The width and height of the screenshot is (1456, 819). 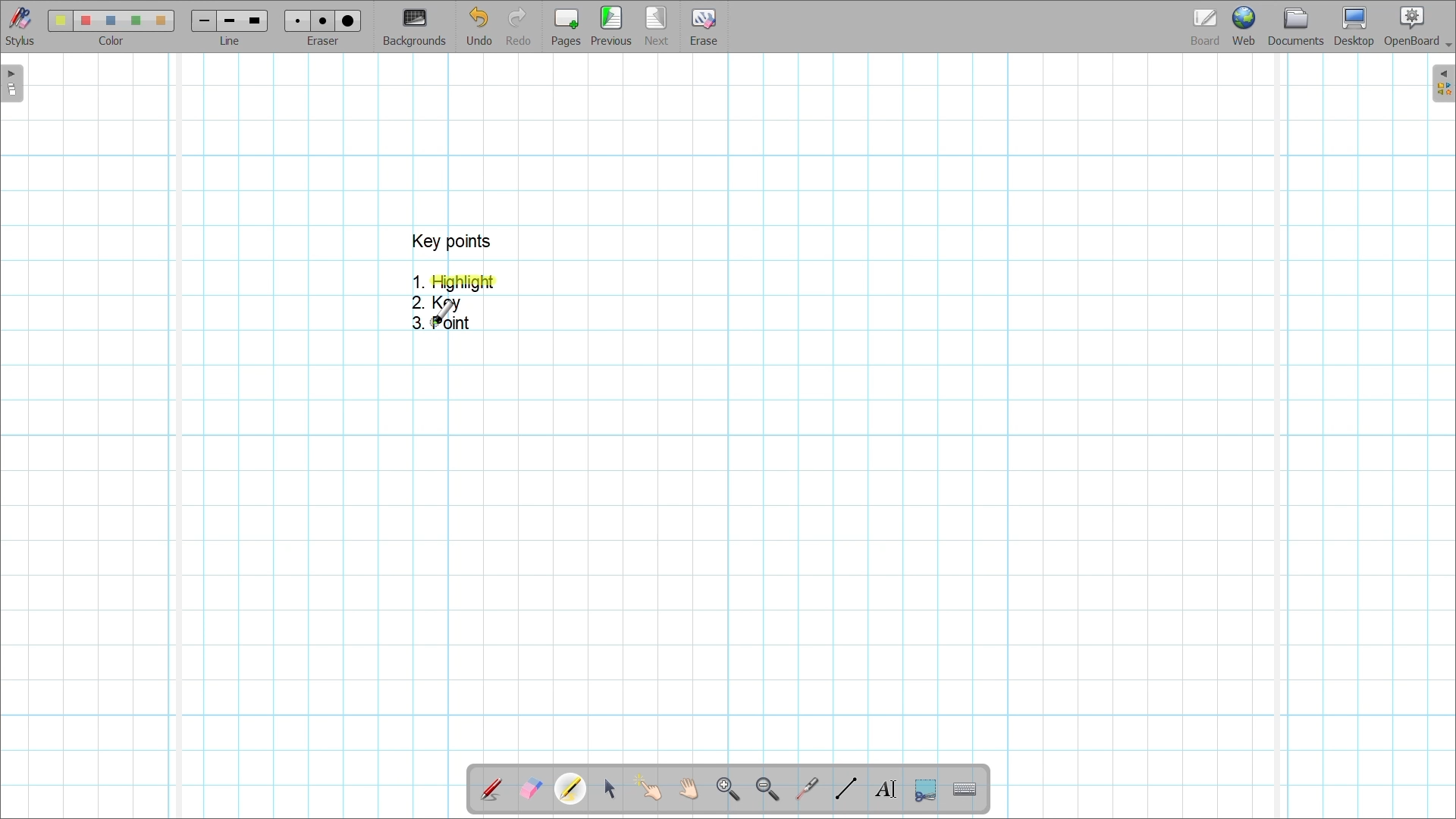 I want to click on color4, so click(x=135, y=20).